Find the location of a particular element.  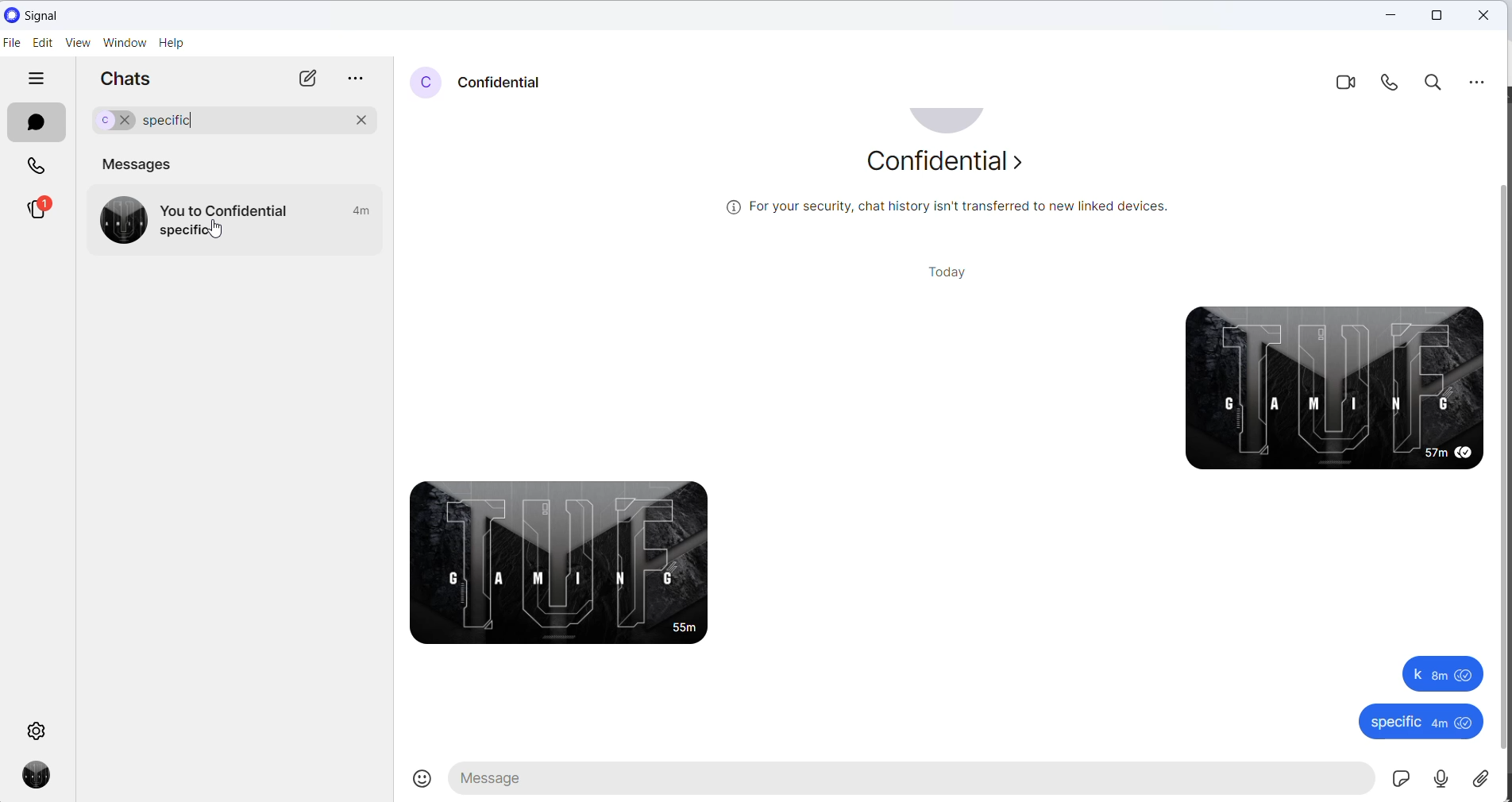

application name and logo is located at coordinates (43, 13).